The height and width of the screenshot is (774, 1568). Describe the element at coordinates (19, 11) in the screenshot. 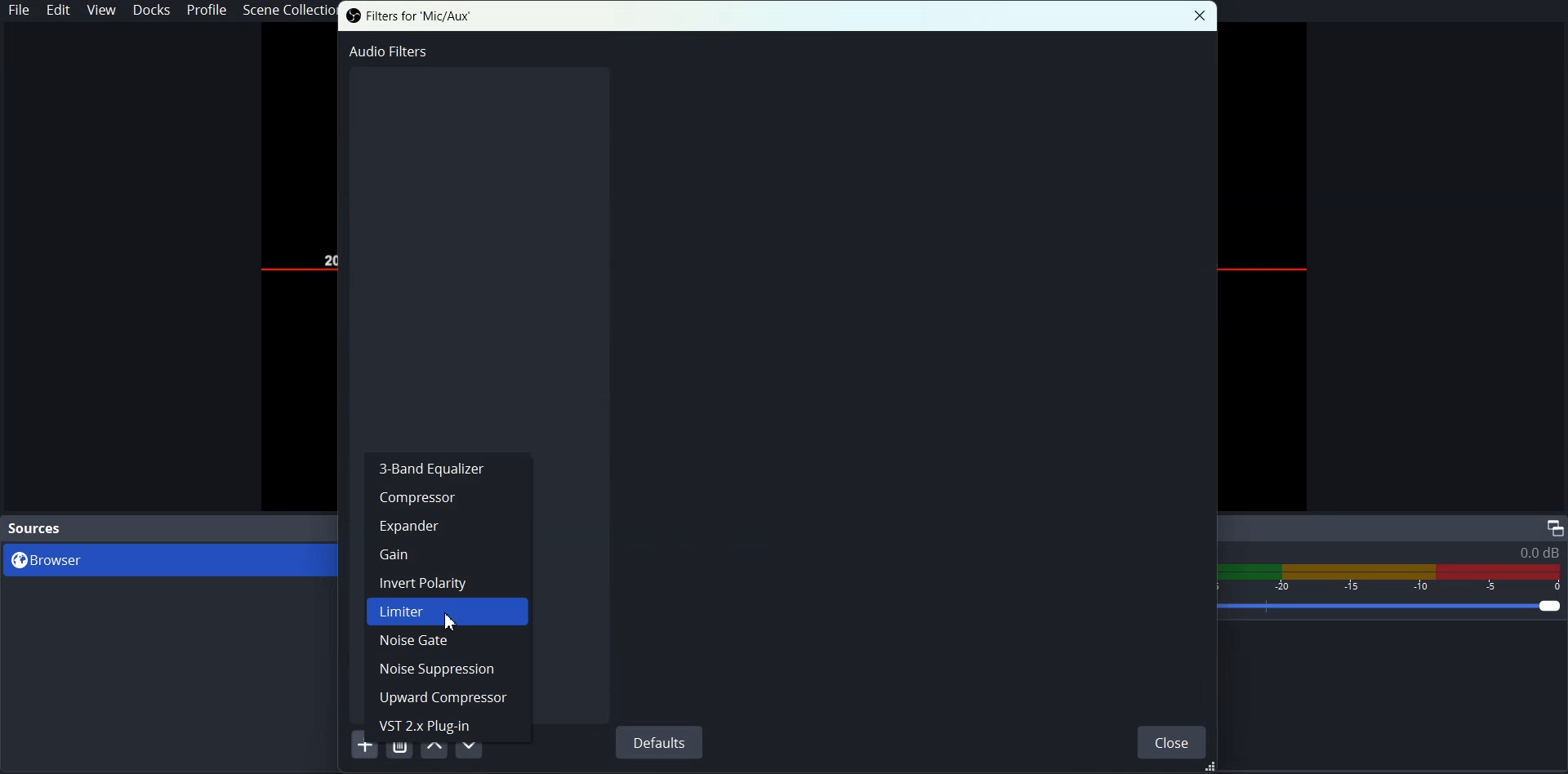

I see `File` at that location.